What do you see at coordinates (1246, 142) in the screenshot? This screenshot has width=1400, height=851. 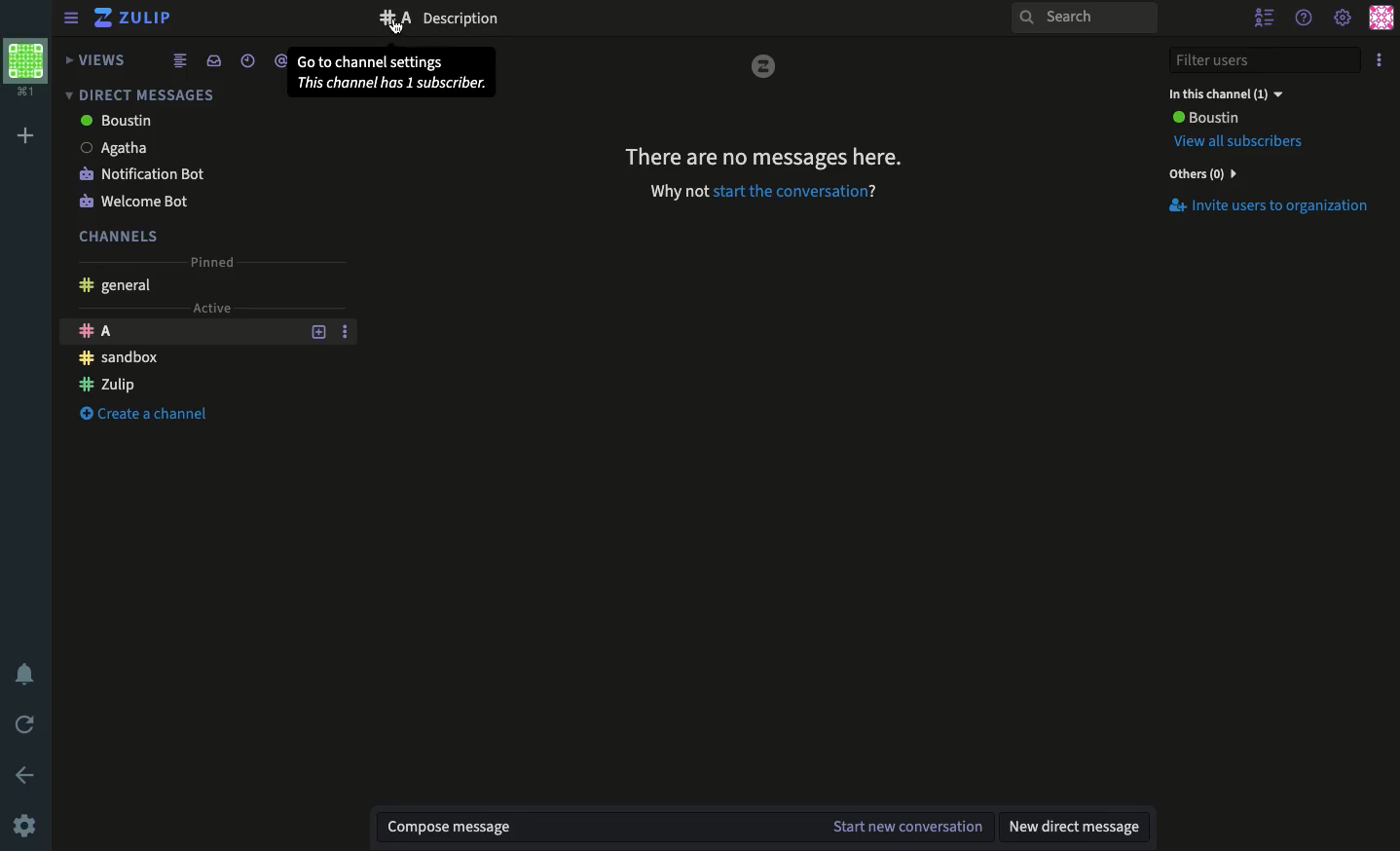 I see `View all subscribers` at bounding box center [1246, 142].